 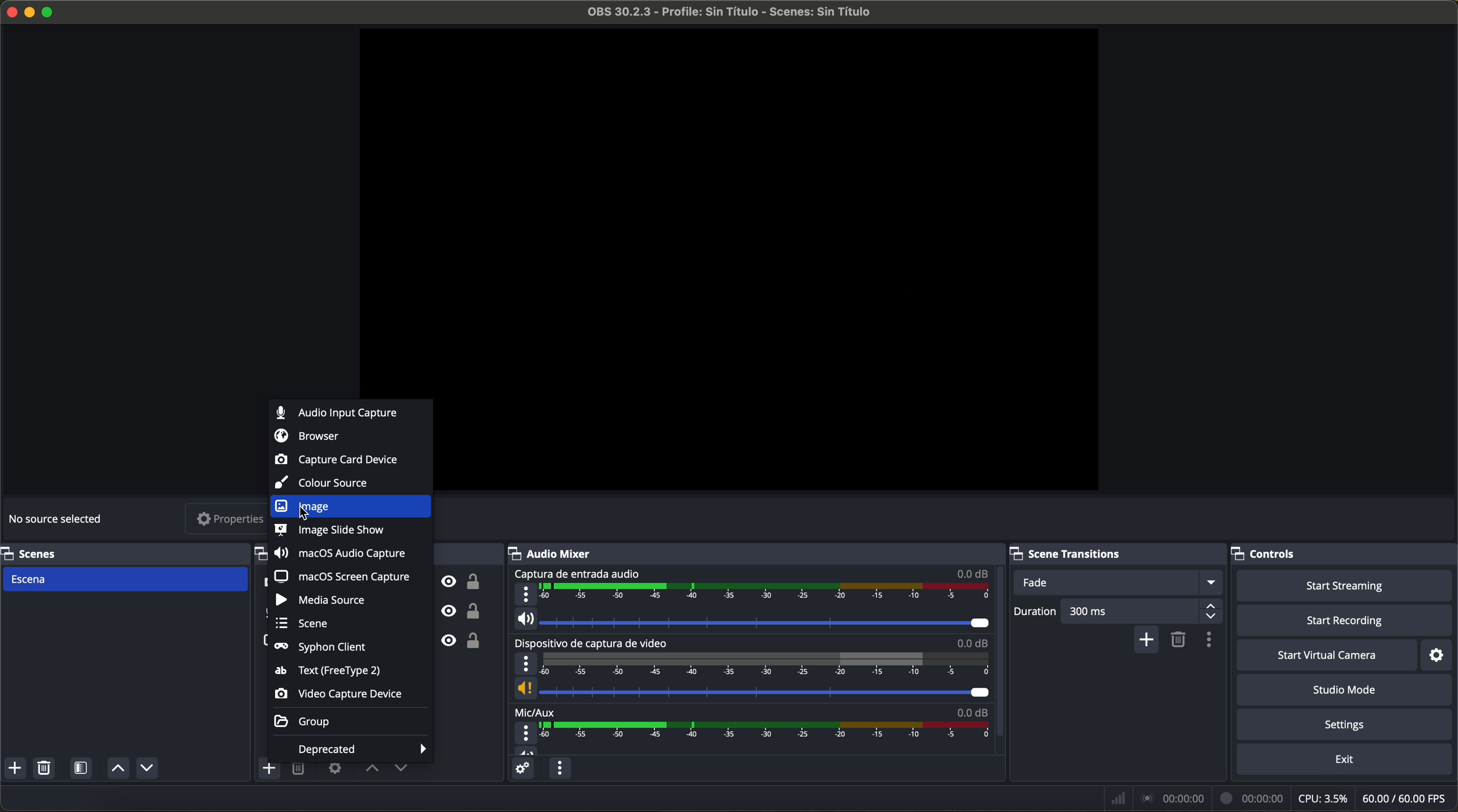 What do you see at coordinates (265, 642) in the screenshot?
I see `screenshot` at bounding box center [265, 642].